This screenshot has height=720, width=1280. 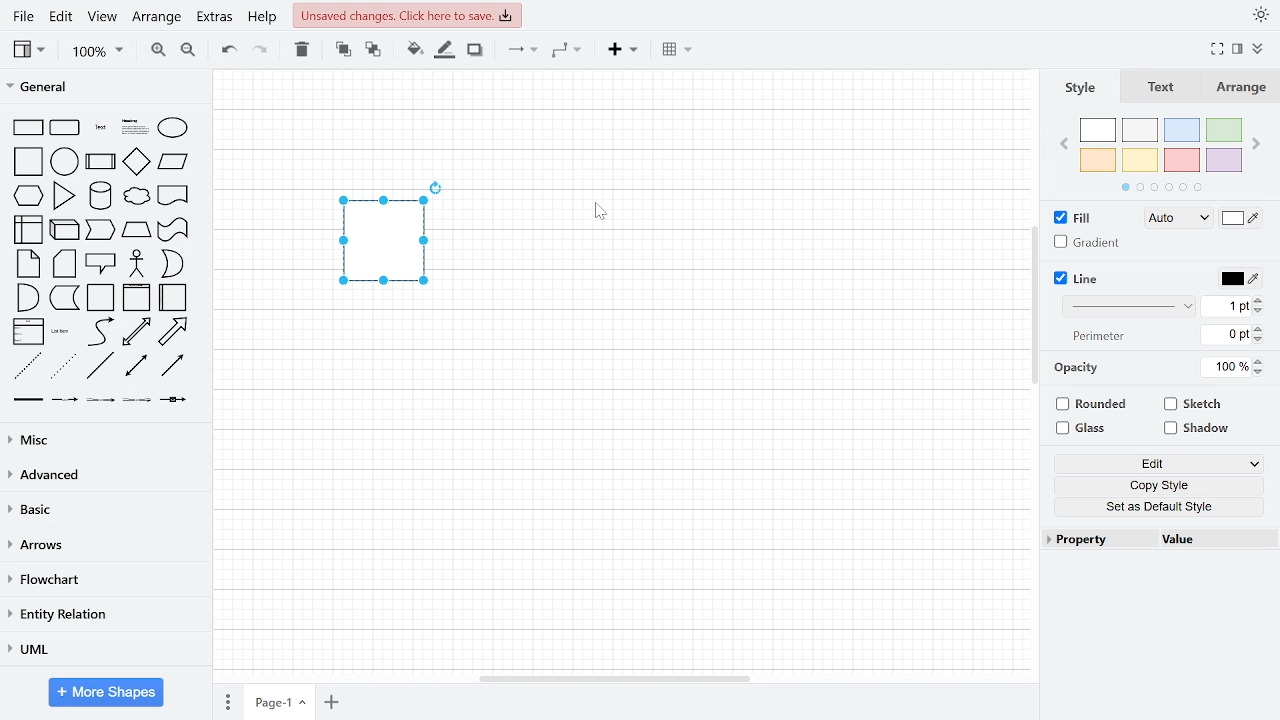 I want to click on callout, so click(x=101, y=262).